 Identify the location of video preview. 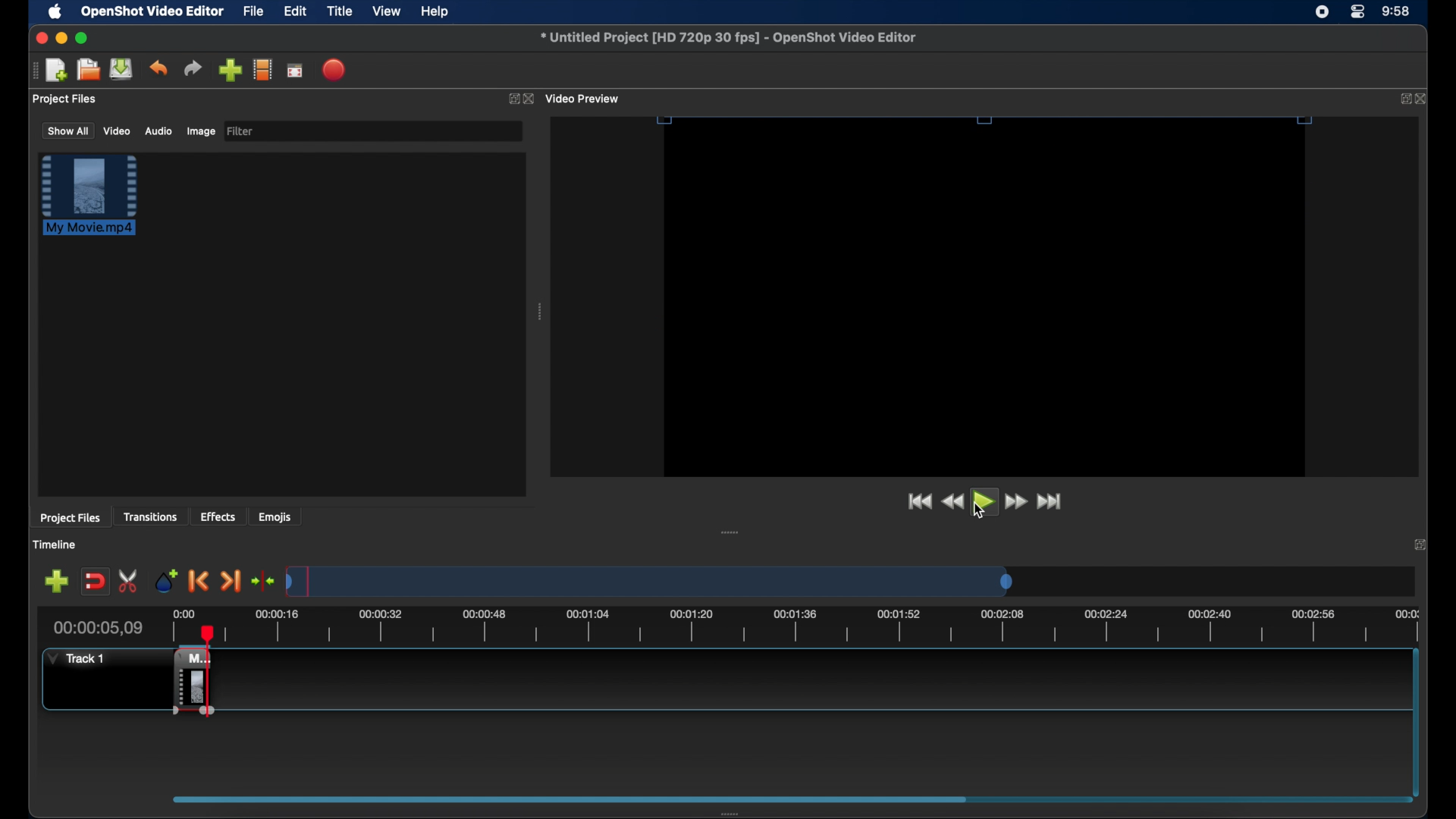
(985, 310).